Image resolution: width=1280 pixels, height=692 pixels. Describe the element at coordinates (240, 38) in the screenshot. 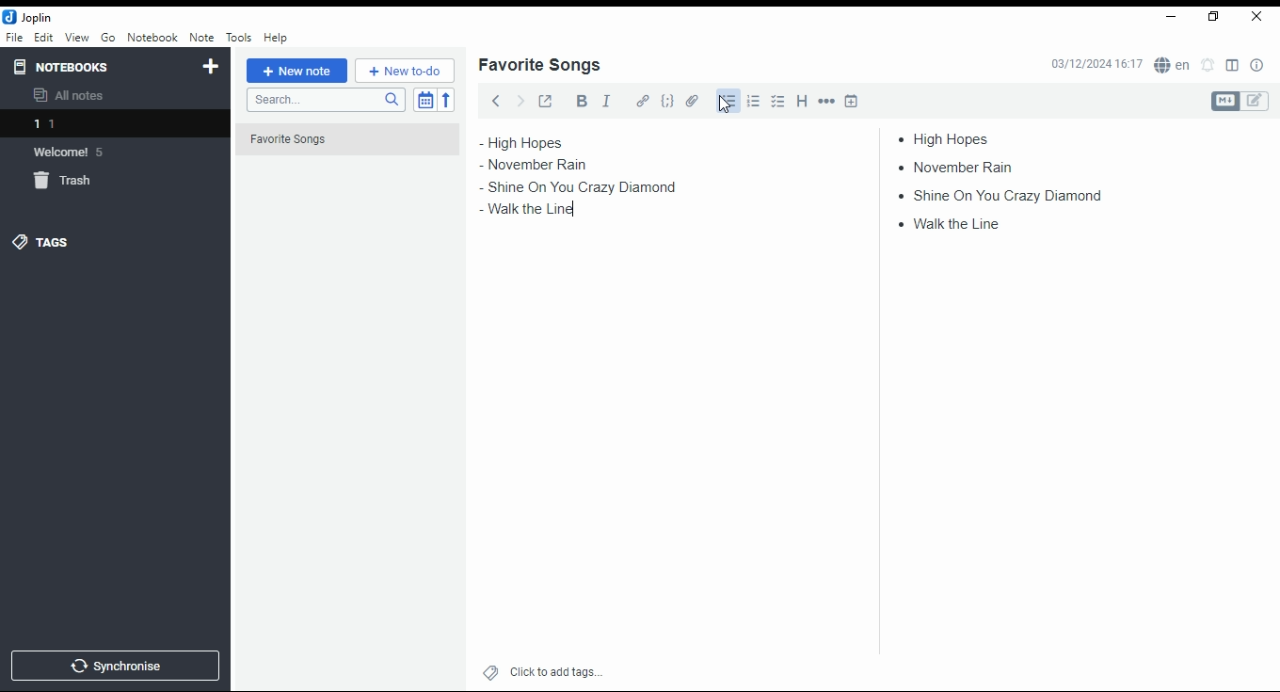

I see `tools` at that location.